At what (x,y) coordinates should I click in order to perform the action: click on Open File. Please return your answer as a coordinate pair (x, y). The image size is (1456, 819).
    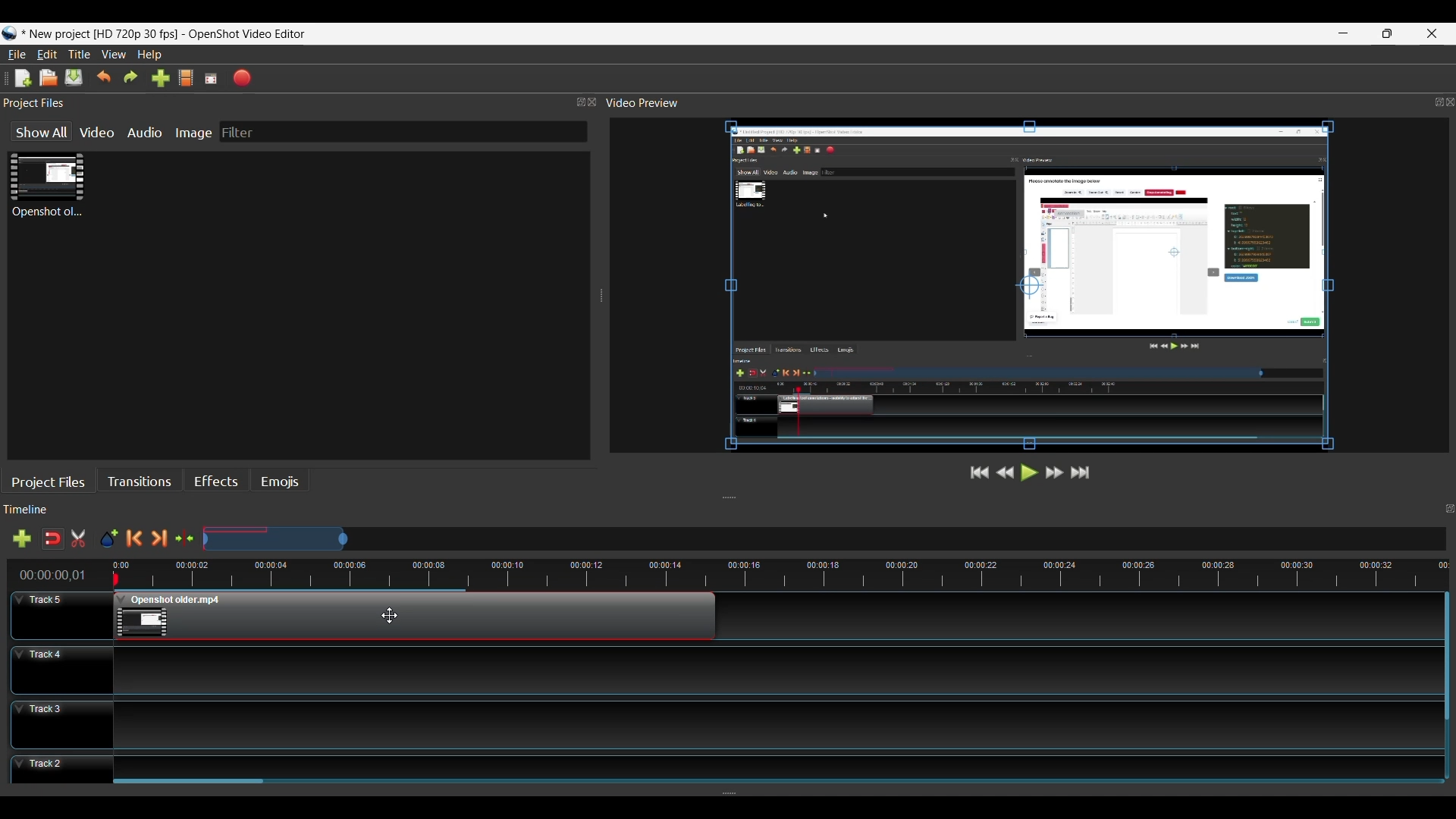
    Looking at the image, I should click on (49, 78).